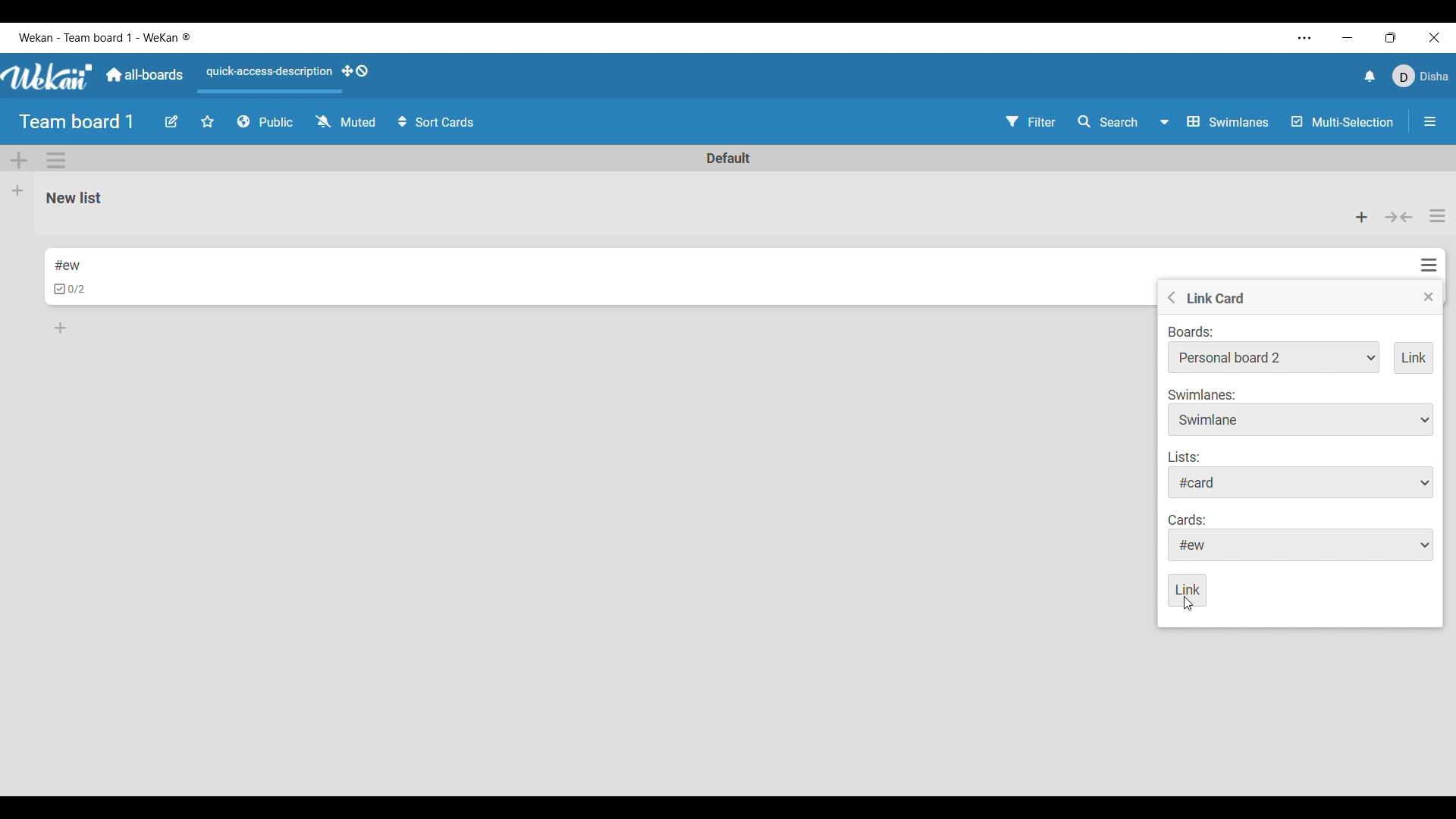 This screenshot has height=819, width=1456. What do you see at coordinates (1344, 122) in the screenshot?
I see `Multi-Selection` at bounding box center [1344, 122].